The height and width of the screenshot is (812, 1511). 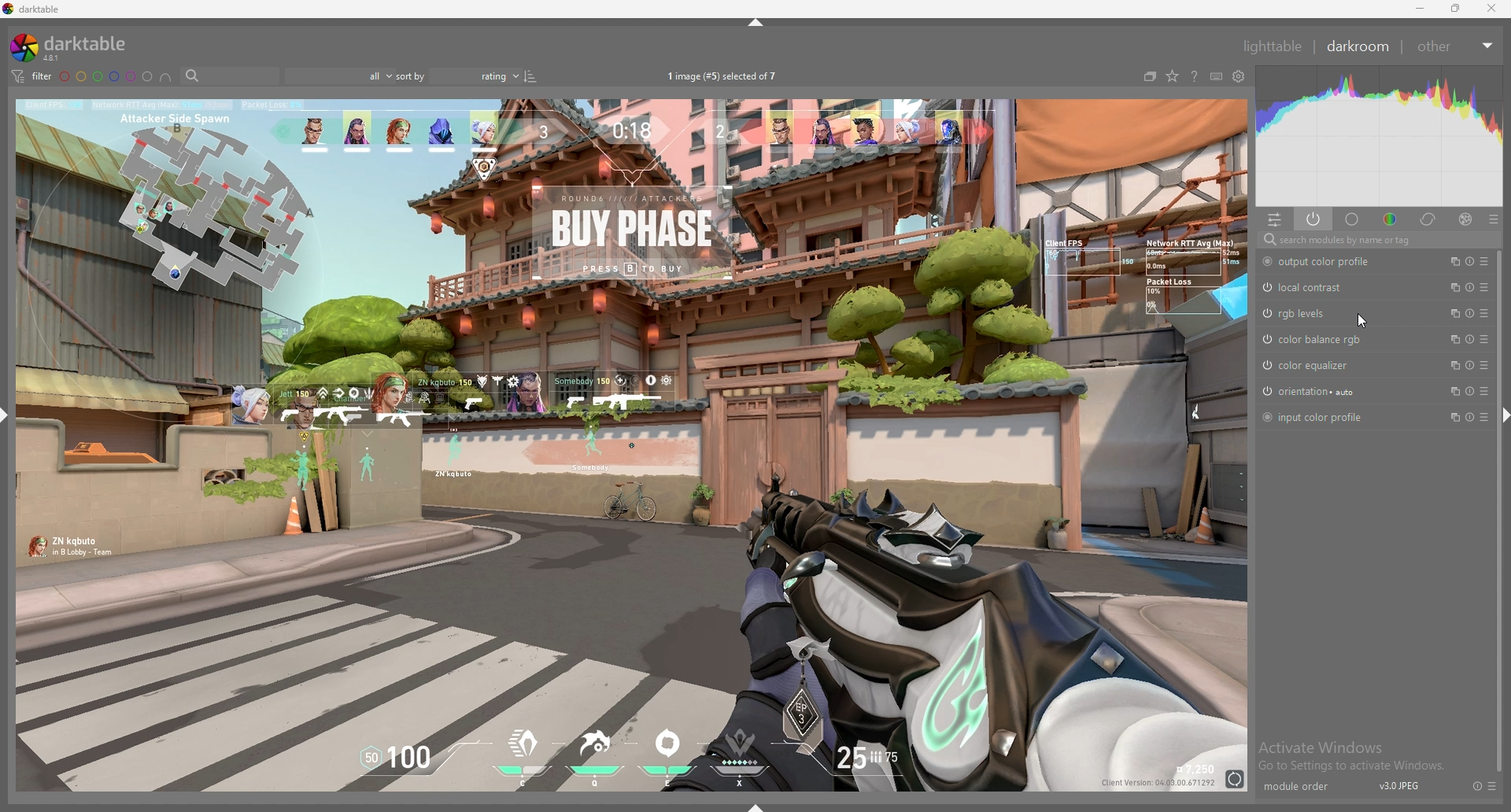 What do you see at coordinates (1469, 287) in the screenshot?
I see `reset` at bounding box center [1469, 287].